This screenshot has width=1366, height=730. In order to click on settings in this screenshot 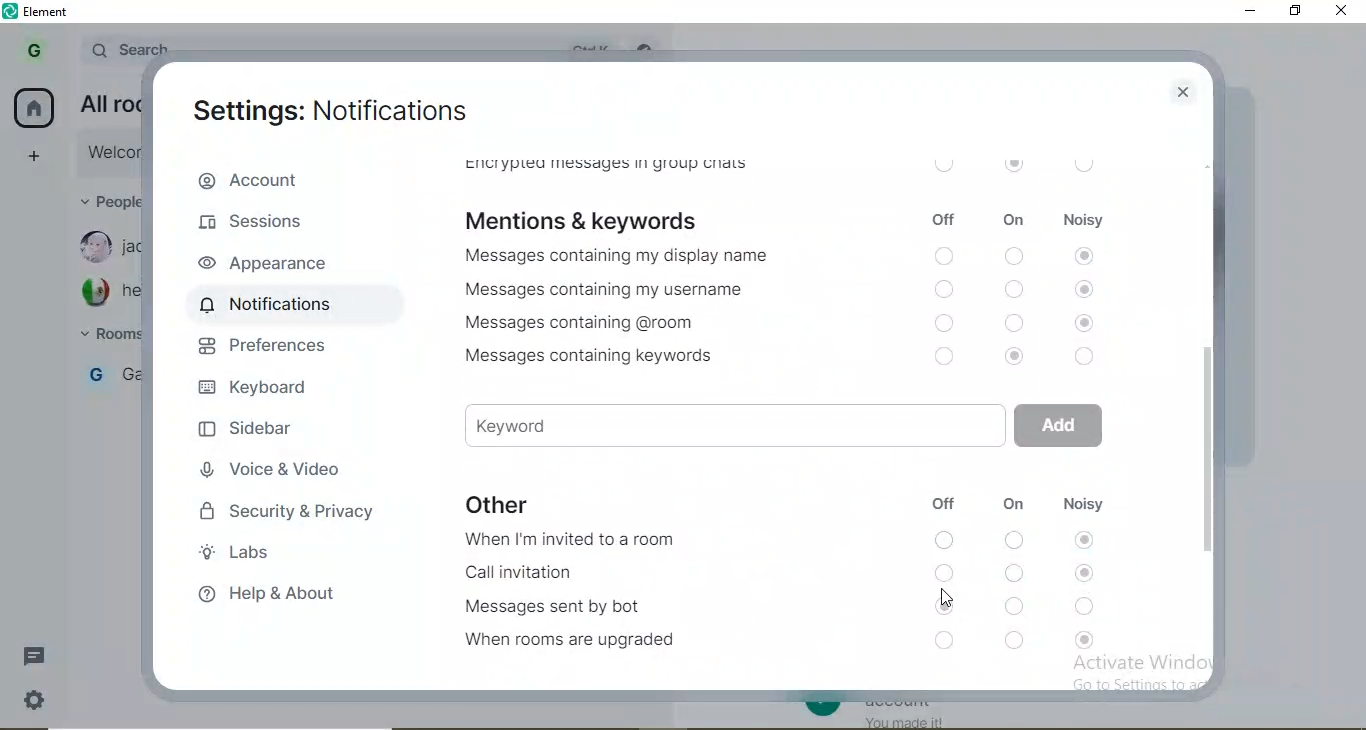, I will do `click(333, 110)`.